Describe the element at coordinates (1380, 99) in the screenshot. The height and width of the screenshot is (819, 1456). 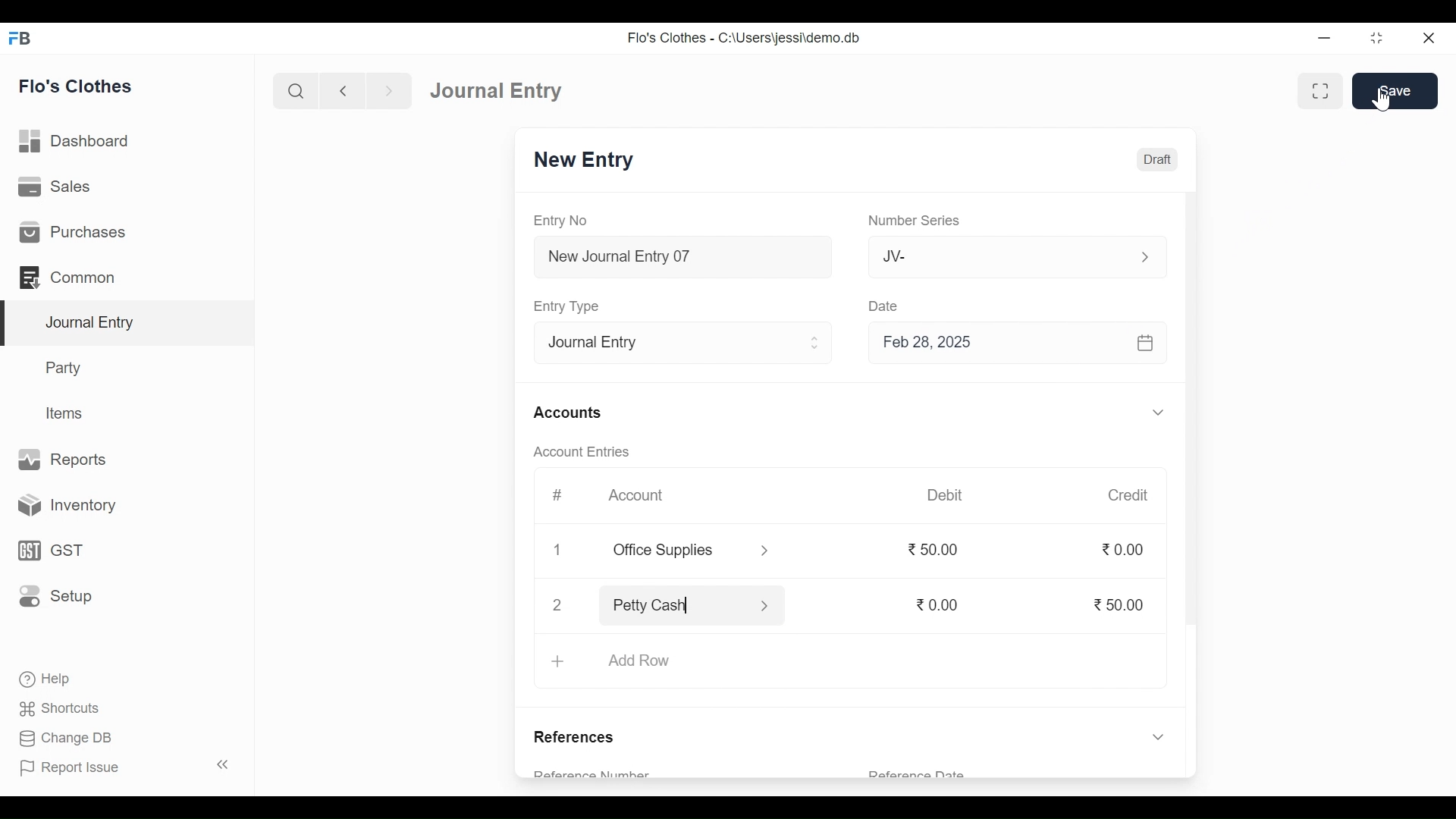
I see `Cursor` at that location.